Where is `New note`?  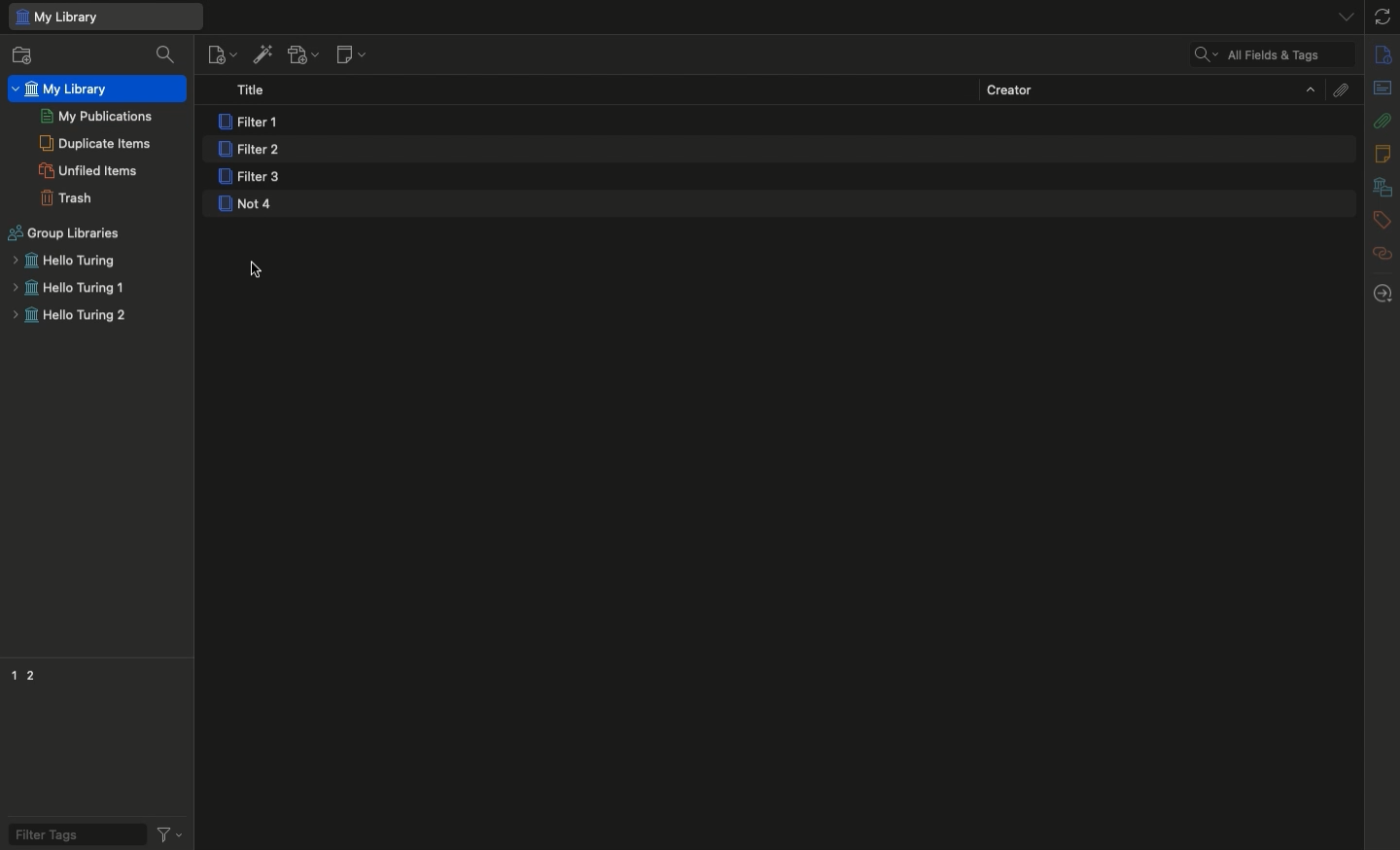
New note is located at coordinates (349, 55).